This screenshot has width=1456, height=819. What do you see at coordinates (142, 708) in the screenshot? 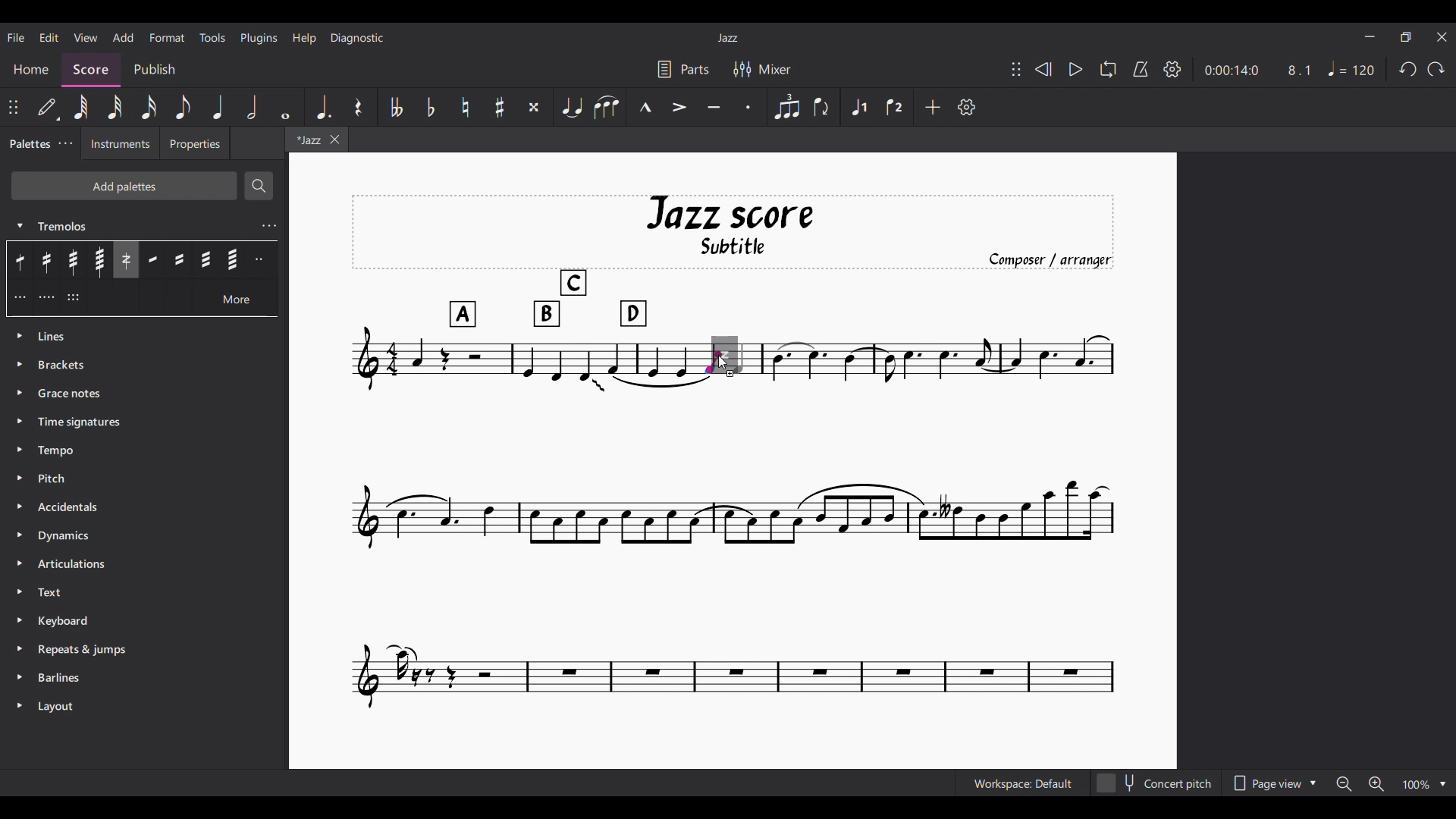
I see `Layout` at bounding box center [142, 708].